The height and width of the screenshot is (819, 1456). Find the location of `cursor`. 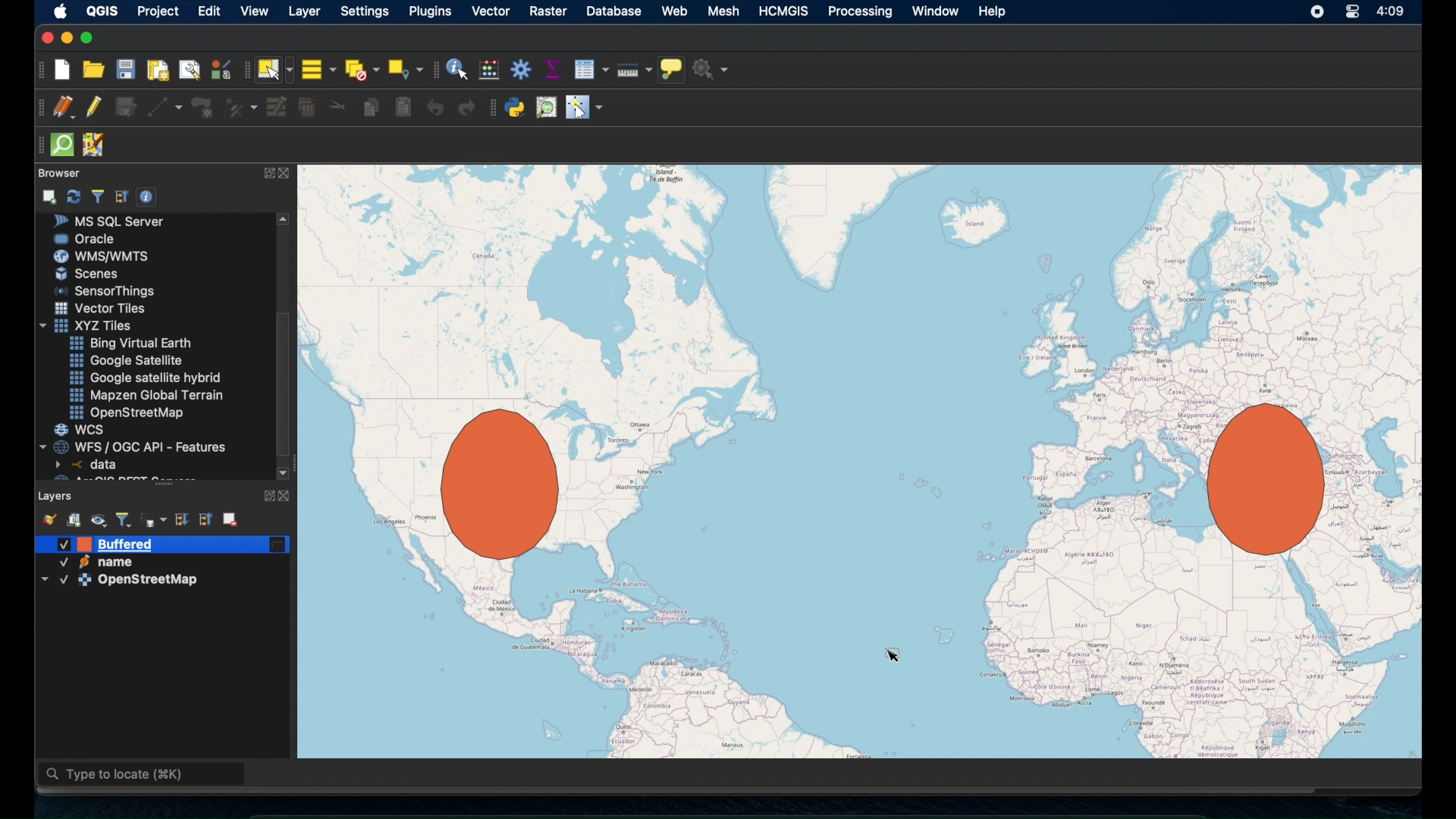

cursor is located at coordinates (896, 646).